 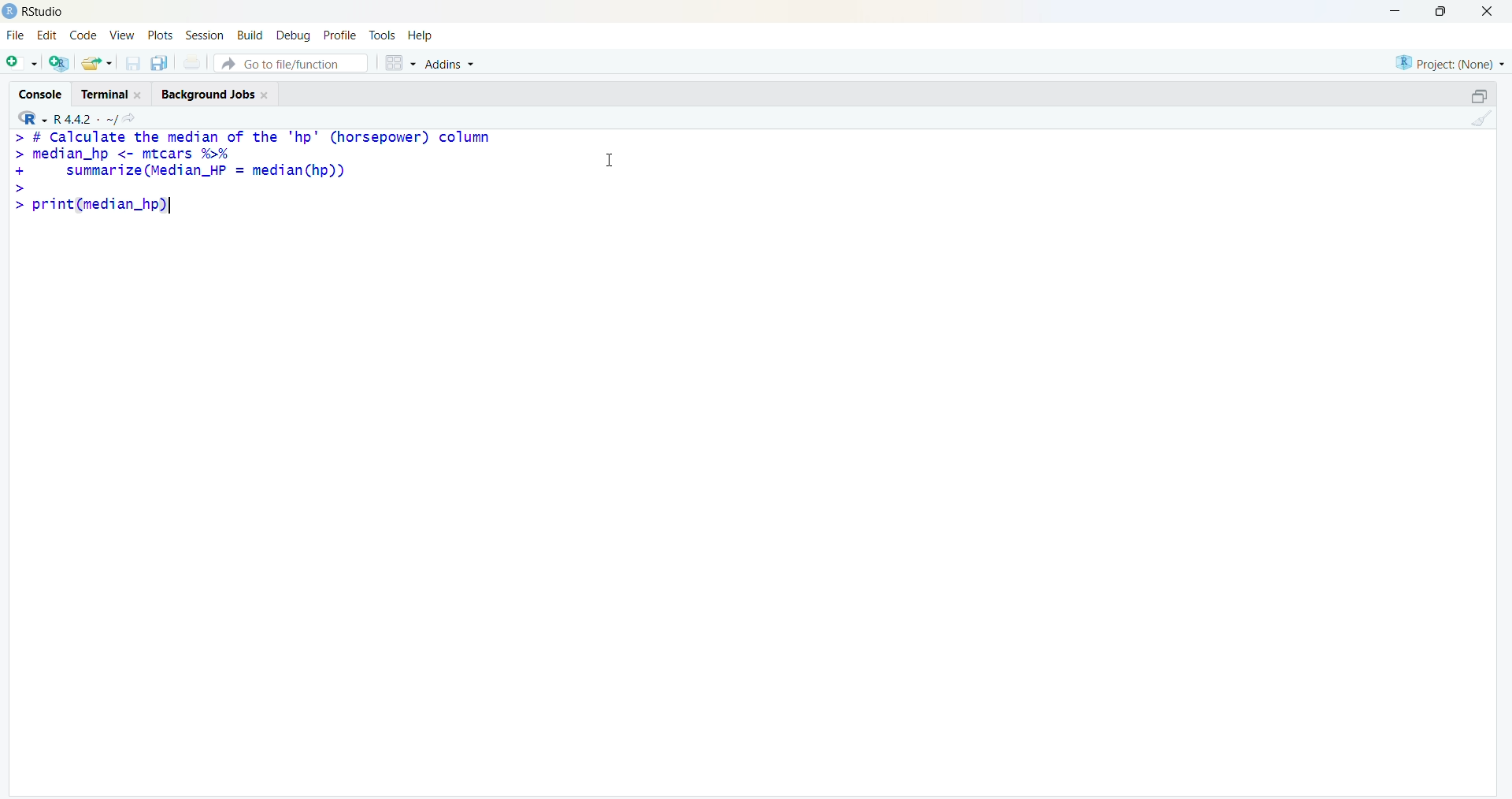 I want to click on RStudio, so click(x=46, y=12).